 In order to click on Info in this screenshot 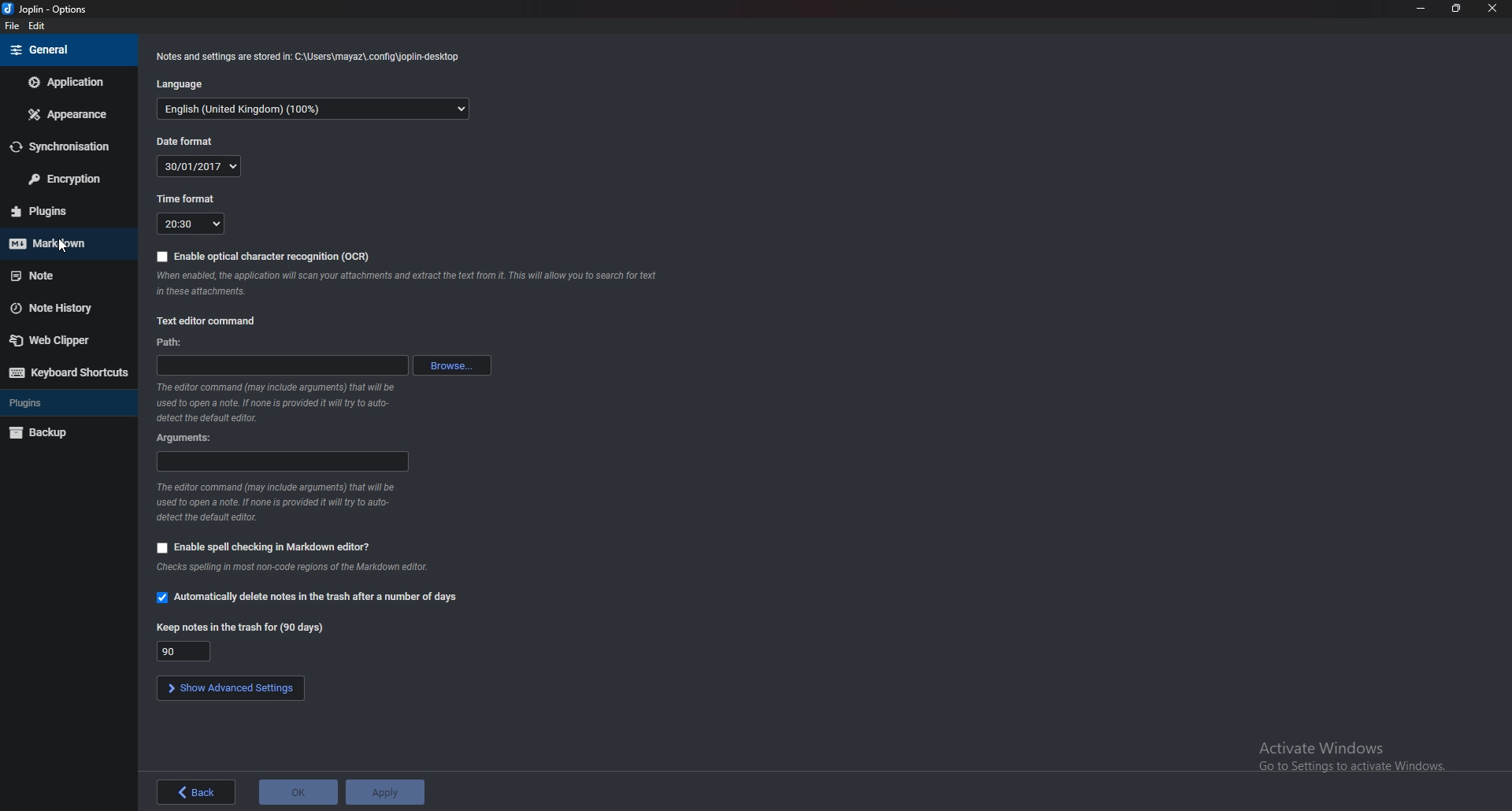, I will do `click(408, 283)`.